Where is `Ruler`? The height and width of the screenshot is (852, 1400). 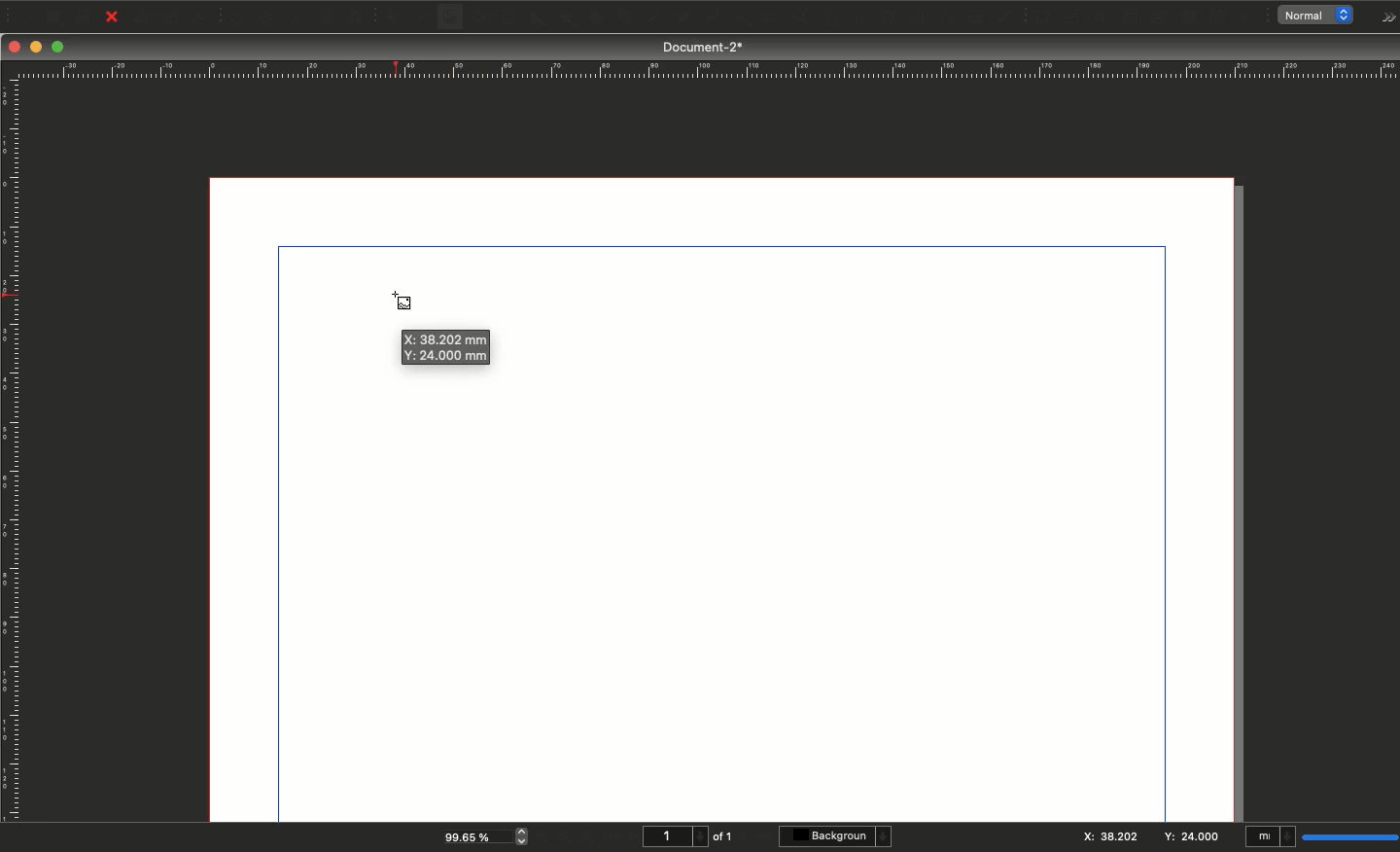 Ruler is located at coordinates (705, 70).